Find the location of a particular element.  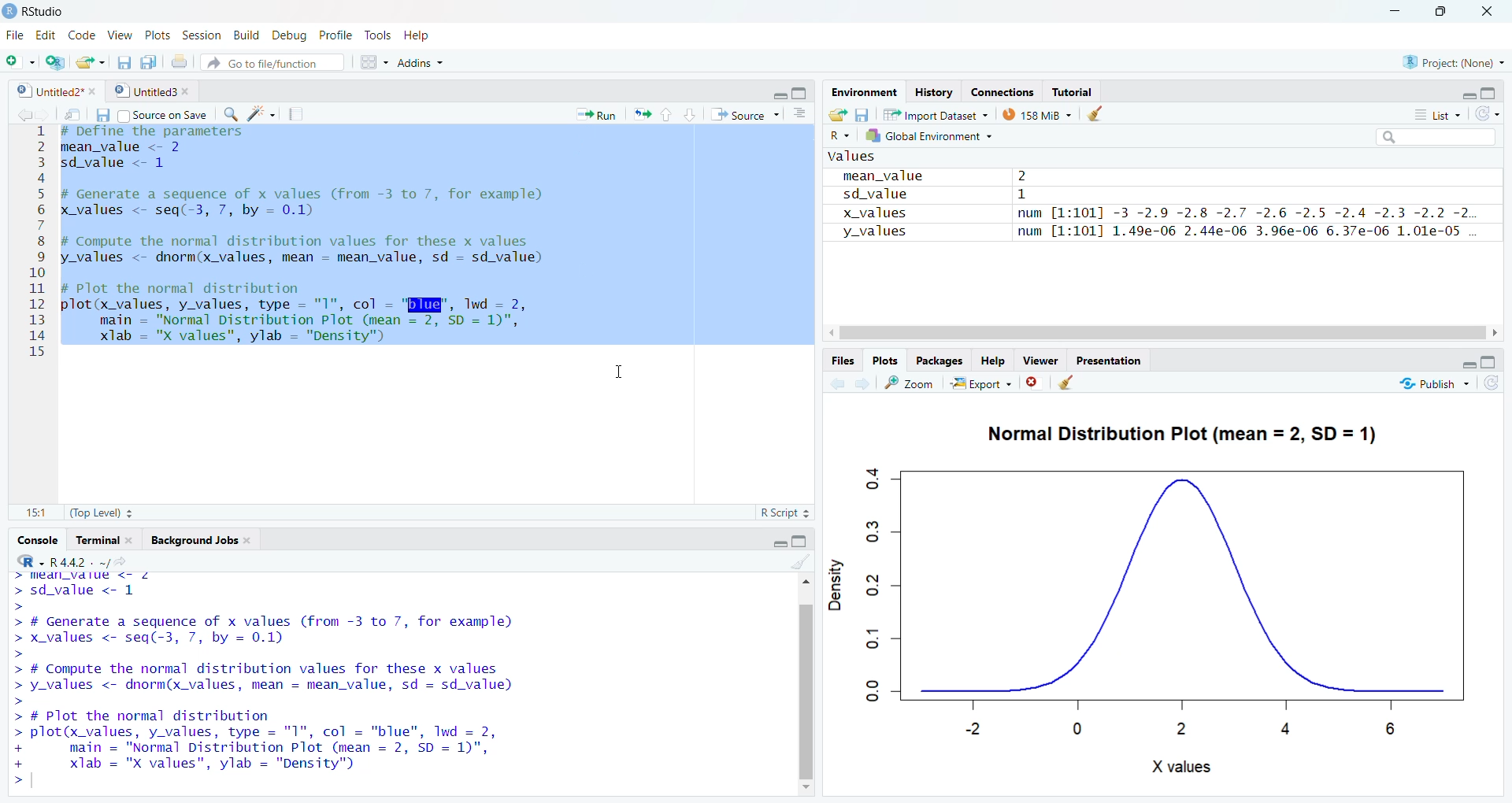

Source on Save is located at coordinates (166, 114).